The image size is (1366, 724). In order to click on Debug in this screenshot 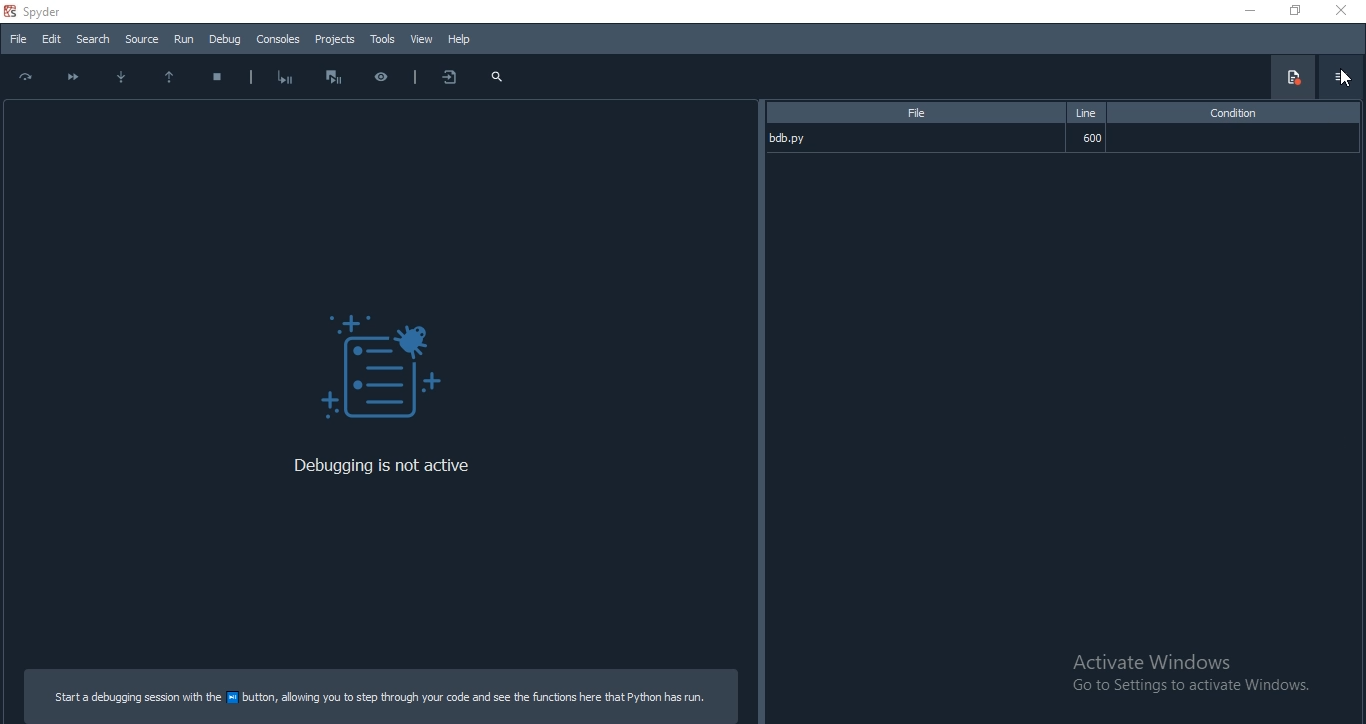, I will do `click(227, 38)`.